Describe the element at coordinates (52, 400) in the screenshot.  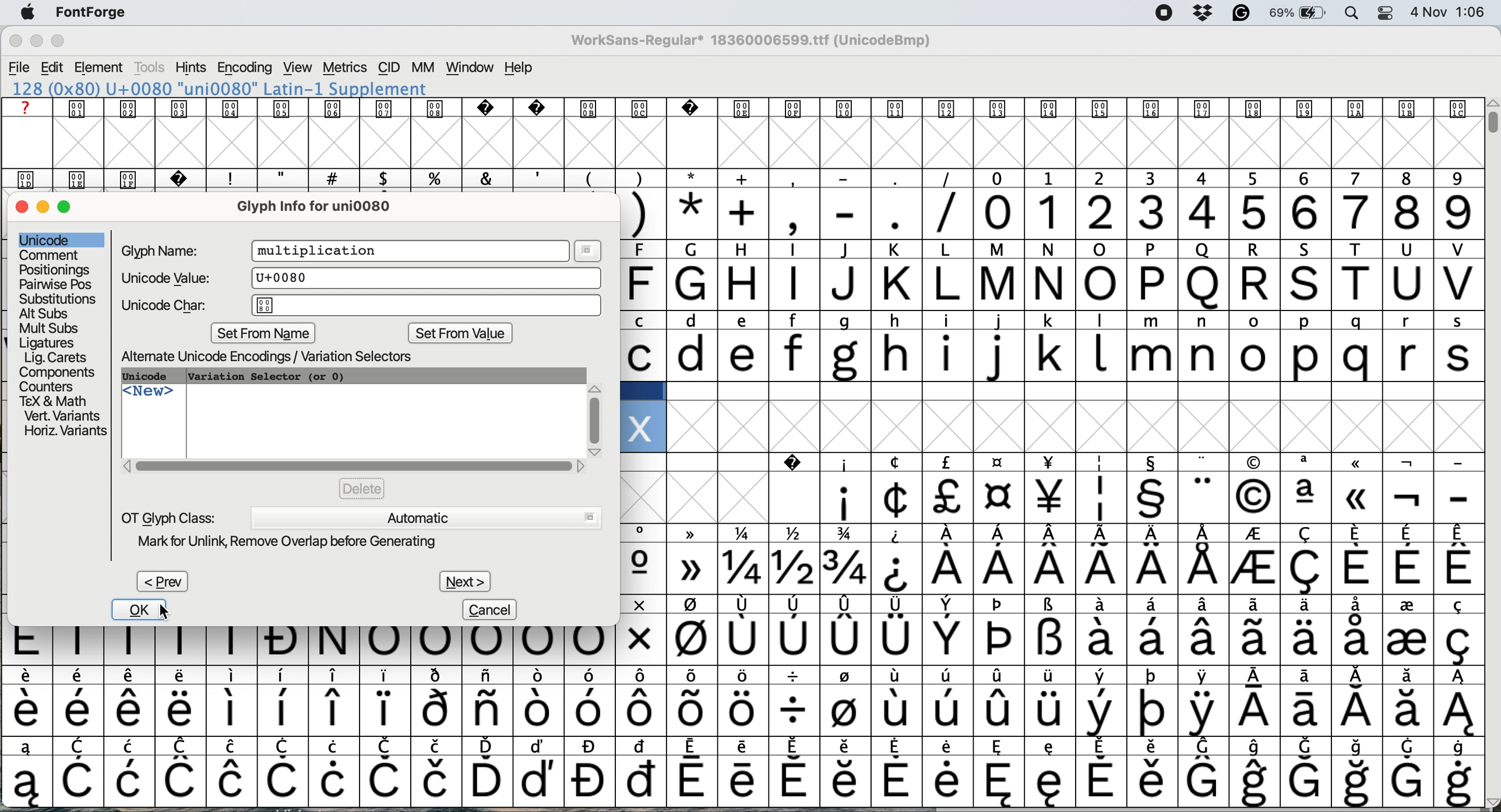
I see `tex and math` at that location.